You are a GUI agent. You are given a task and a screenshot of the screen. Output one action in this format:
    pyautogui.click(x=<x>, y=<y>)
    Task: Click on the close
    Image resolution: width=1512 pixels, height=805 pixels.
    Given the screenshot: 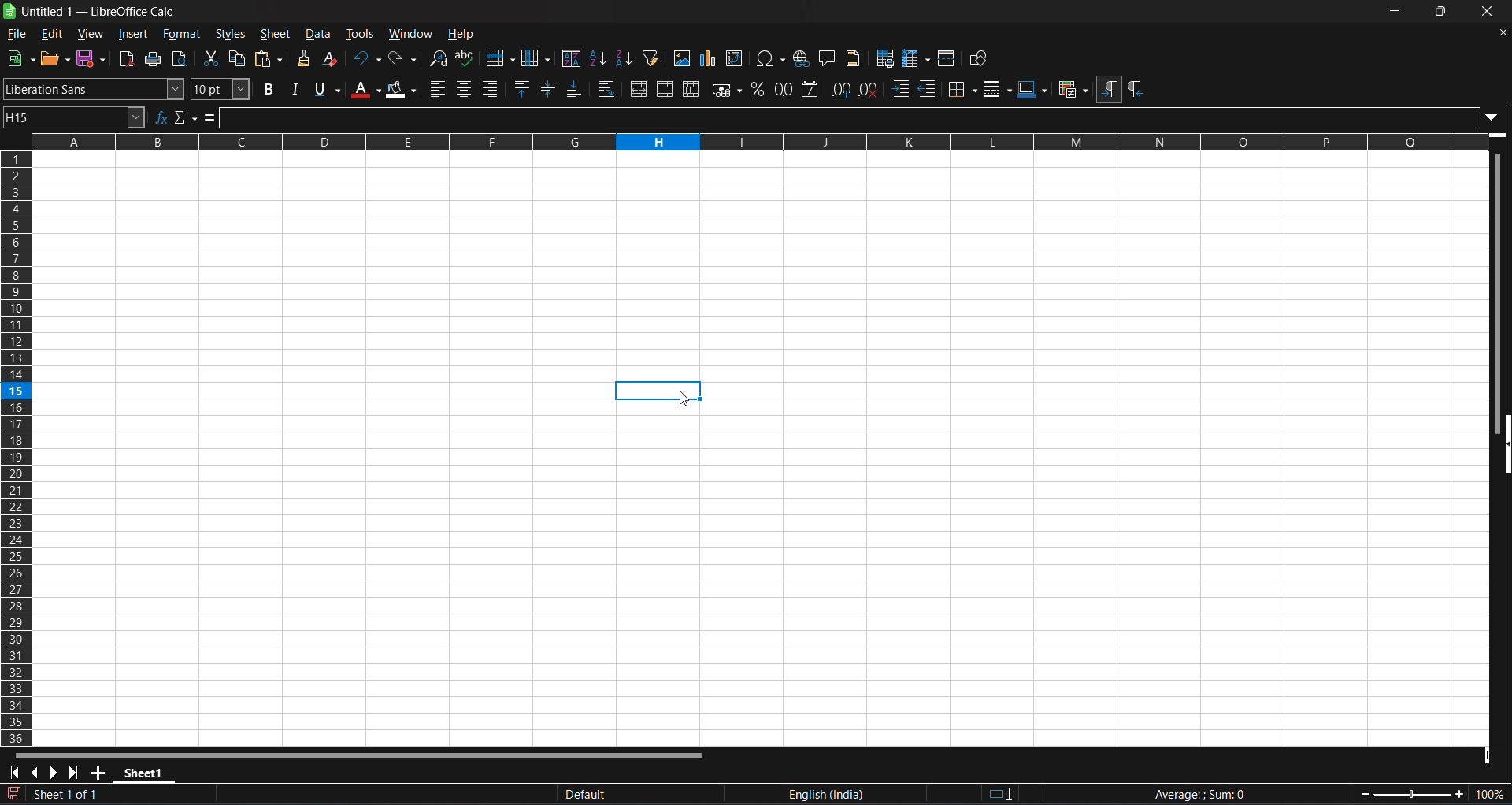 What is the action you would take?
    pyautogui.click(x=1488, y=13)
    